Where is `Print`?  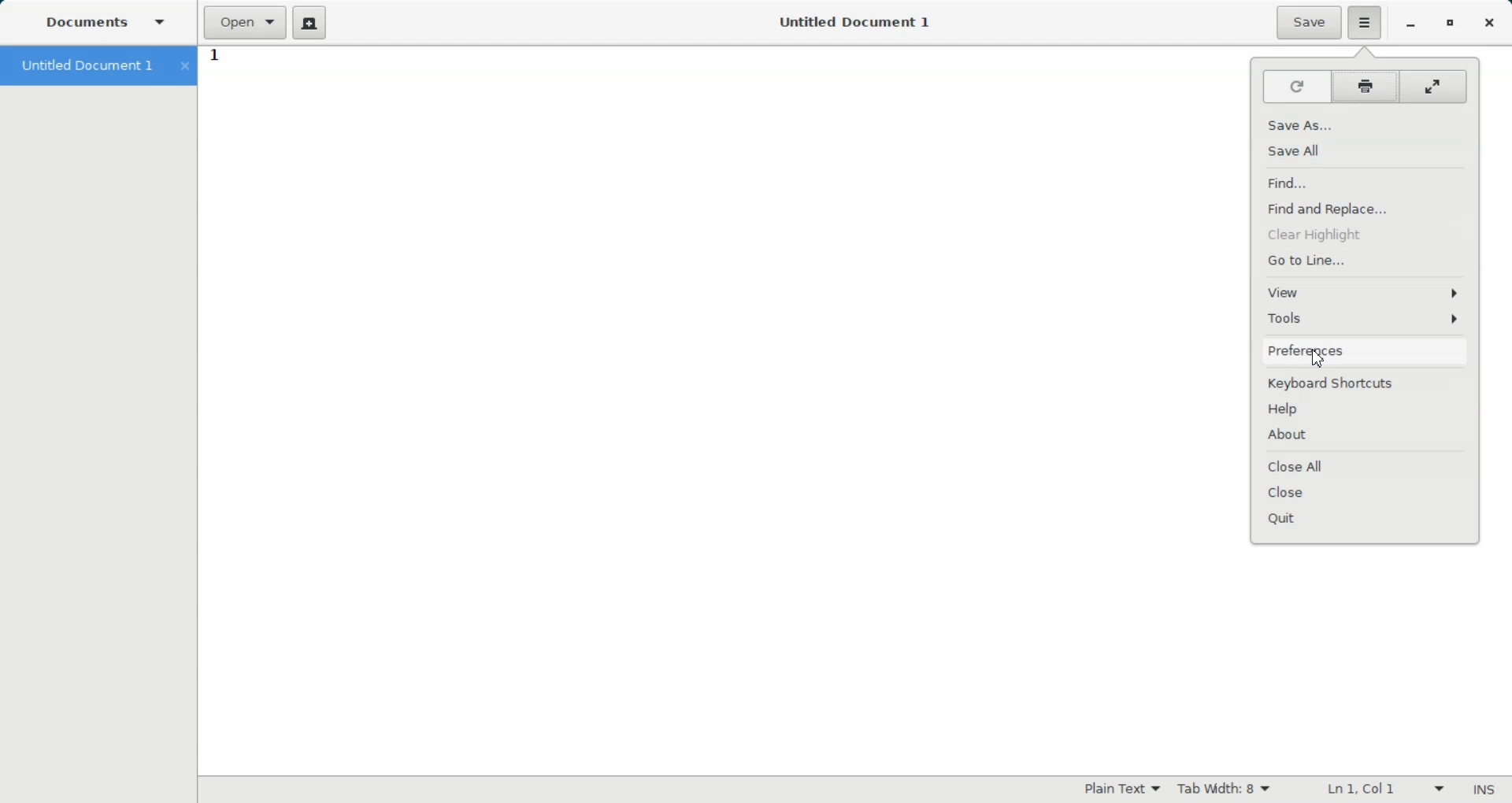 Print is located at coordinates (1366, 87).